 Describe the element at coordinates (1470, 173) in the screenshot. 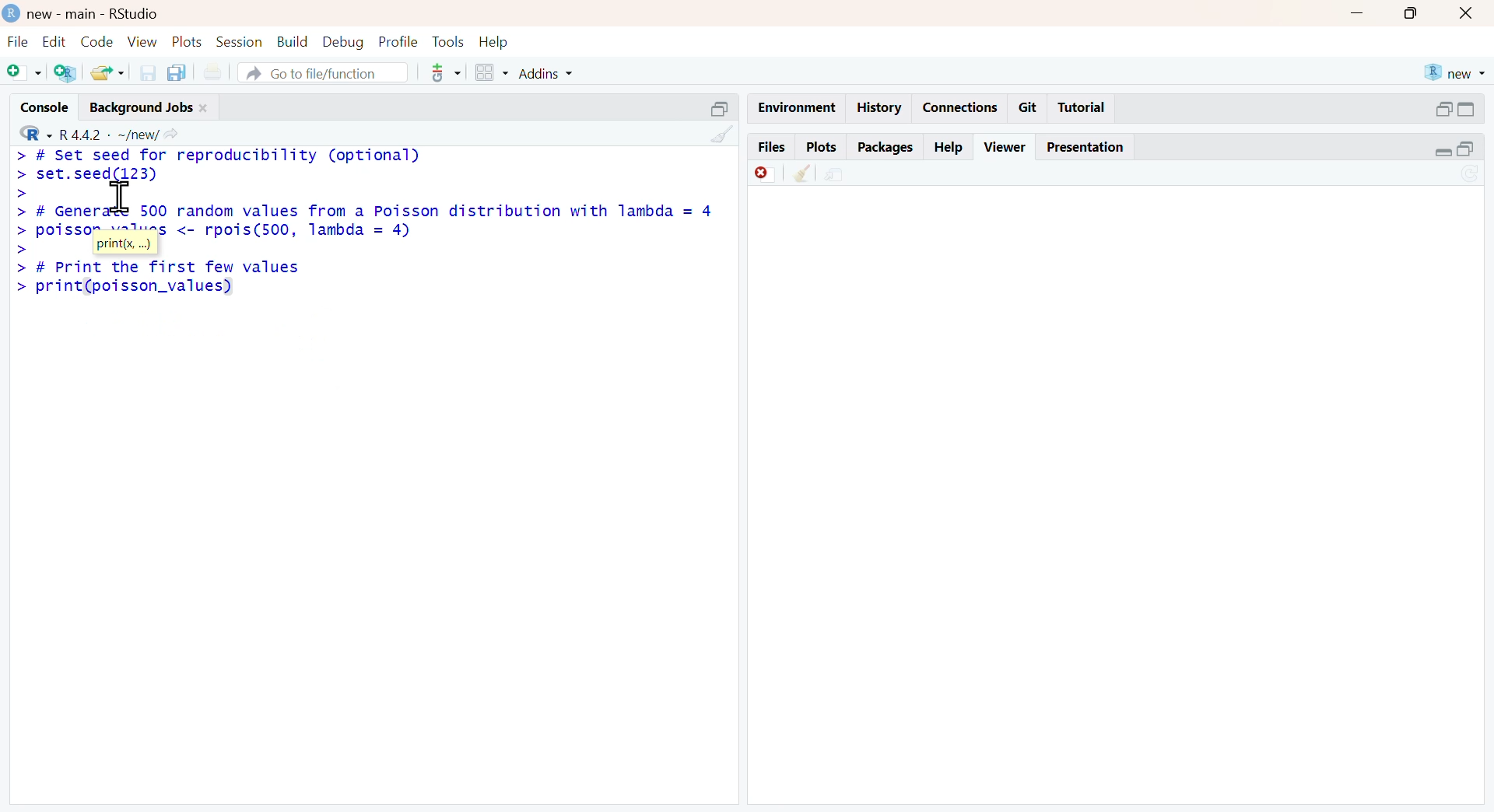

I see `sync` at that location.